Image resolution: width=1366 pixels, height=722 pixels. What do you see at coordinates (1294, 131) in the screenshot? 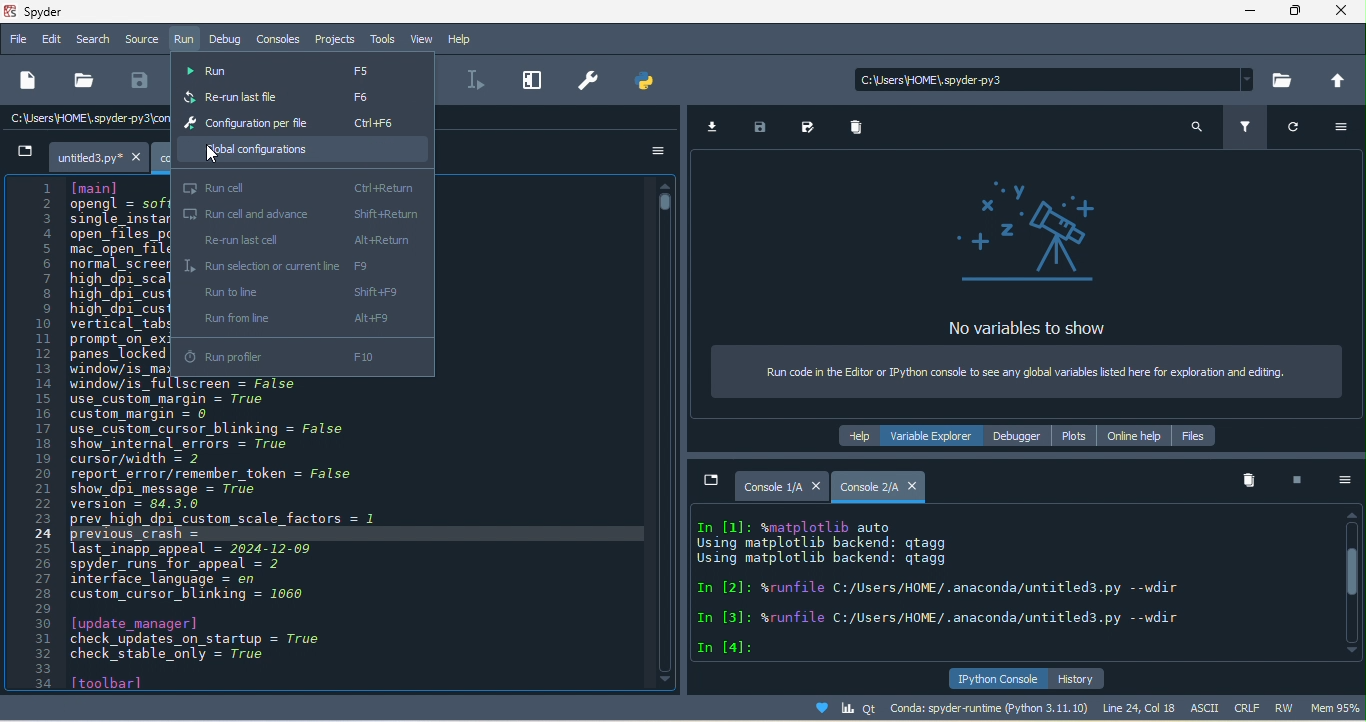
I see `refresh` at bounding box center [1294, 131].